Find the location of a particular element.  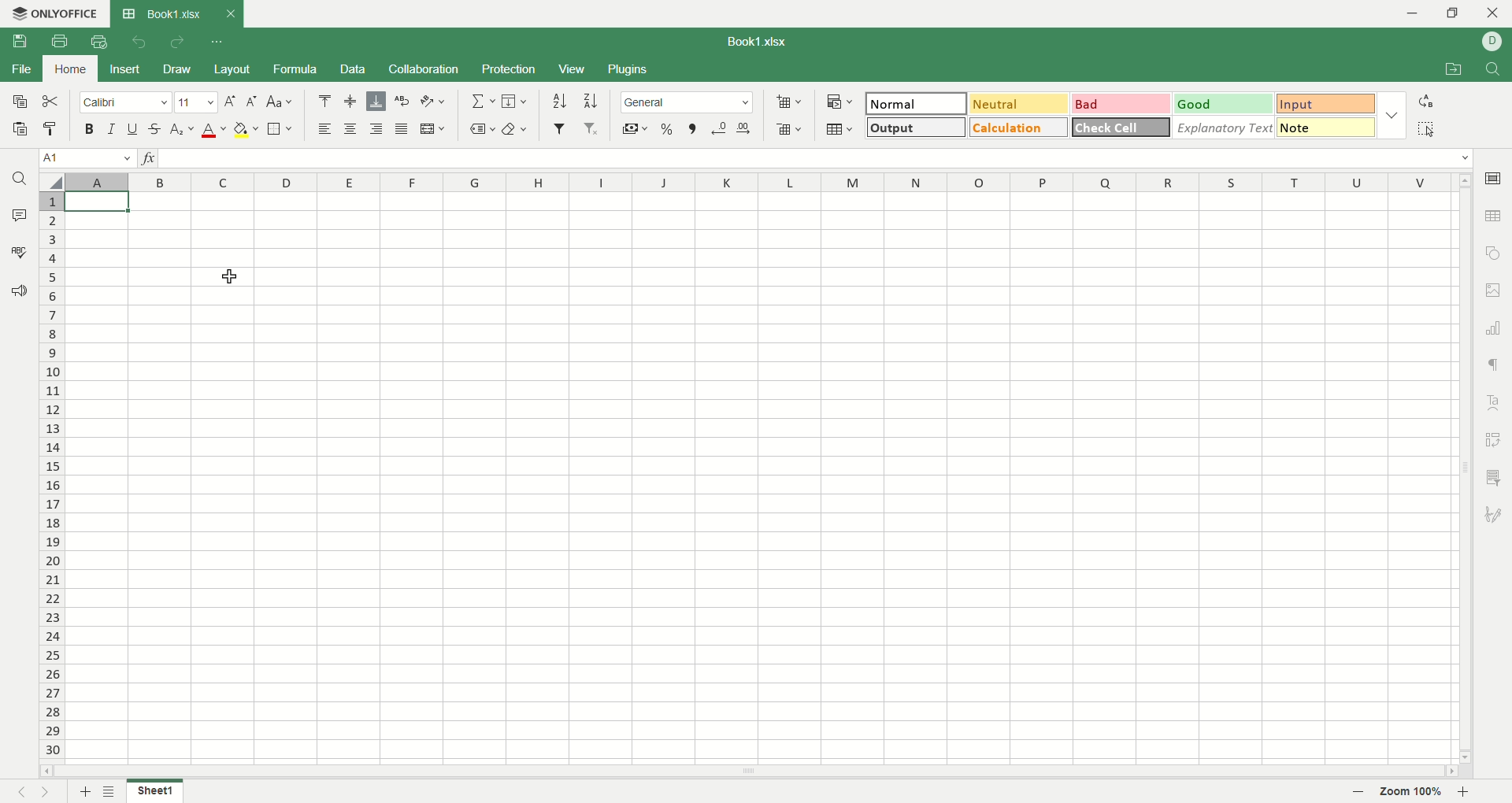

output is located at coordinates (913, 127).